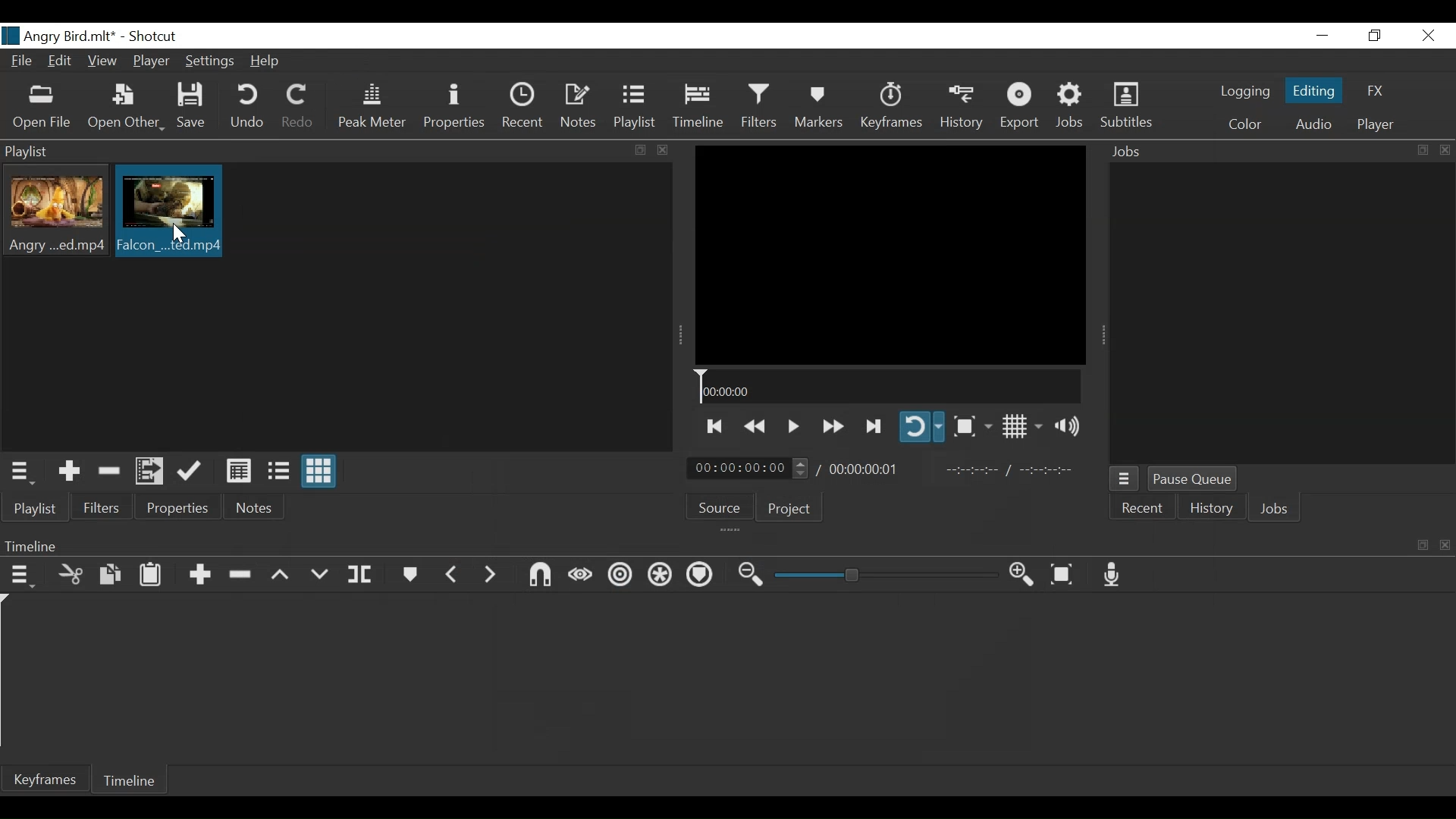 The width and height of the screenshot is (1456, 819). I want to click on Properties, so click(175, 507).